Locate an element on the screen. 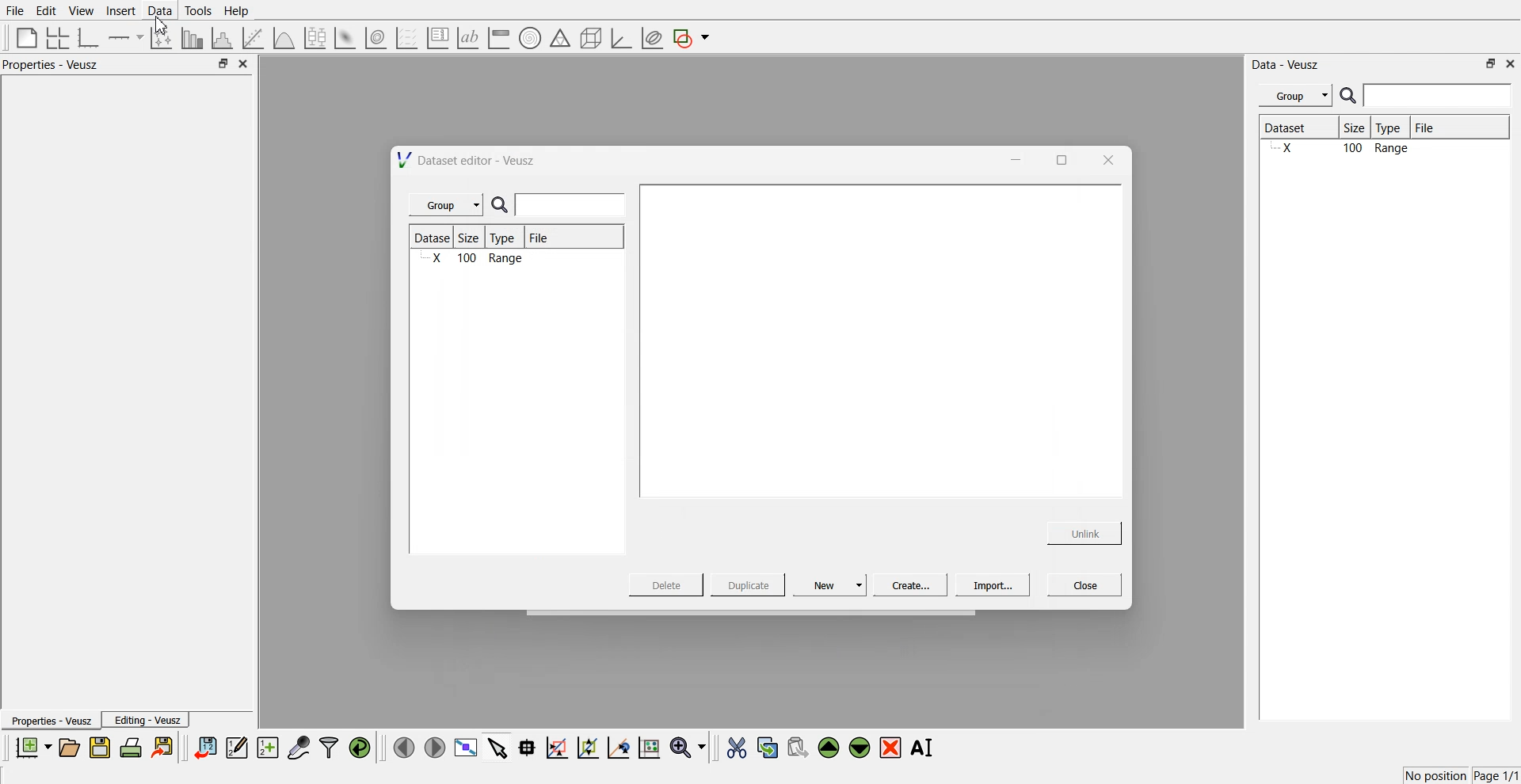 Image resolution: width=1521 pixels, height=784 pixels. search icon is located at coordinates (503, 206).